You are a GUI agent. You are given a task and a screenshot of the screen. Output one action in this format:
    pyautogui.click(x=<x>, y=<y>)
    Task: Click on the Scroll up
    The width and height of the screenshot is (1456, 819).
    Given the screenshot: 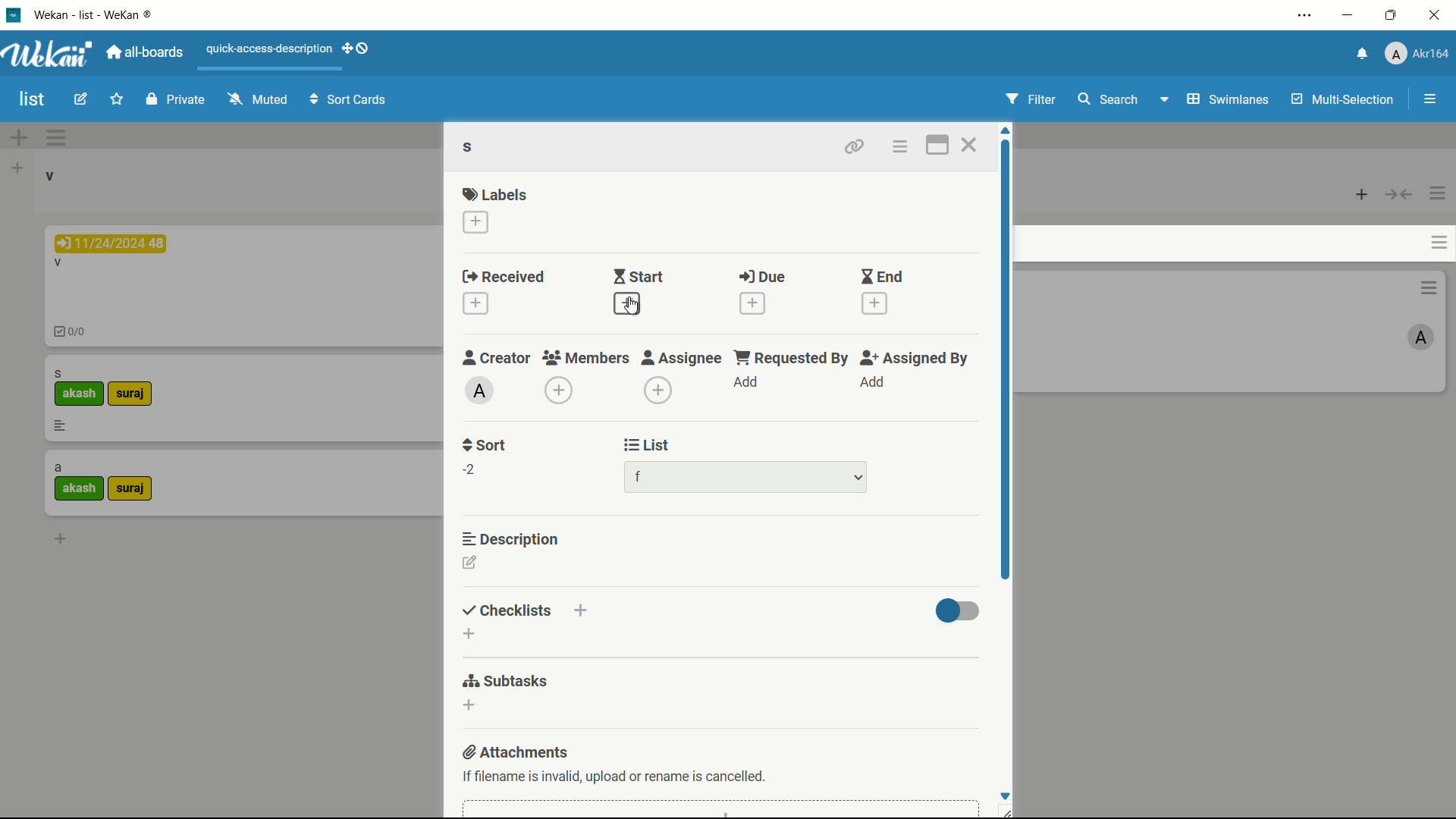 What is the action you would take?
    pyautogui.click(x=1004, y=129)
    